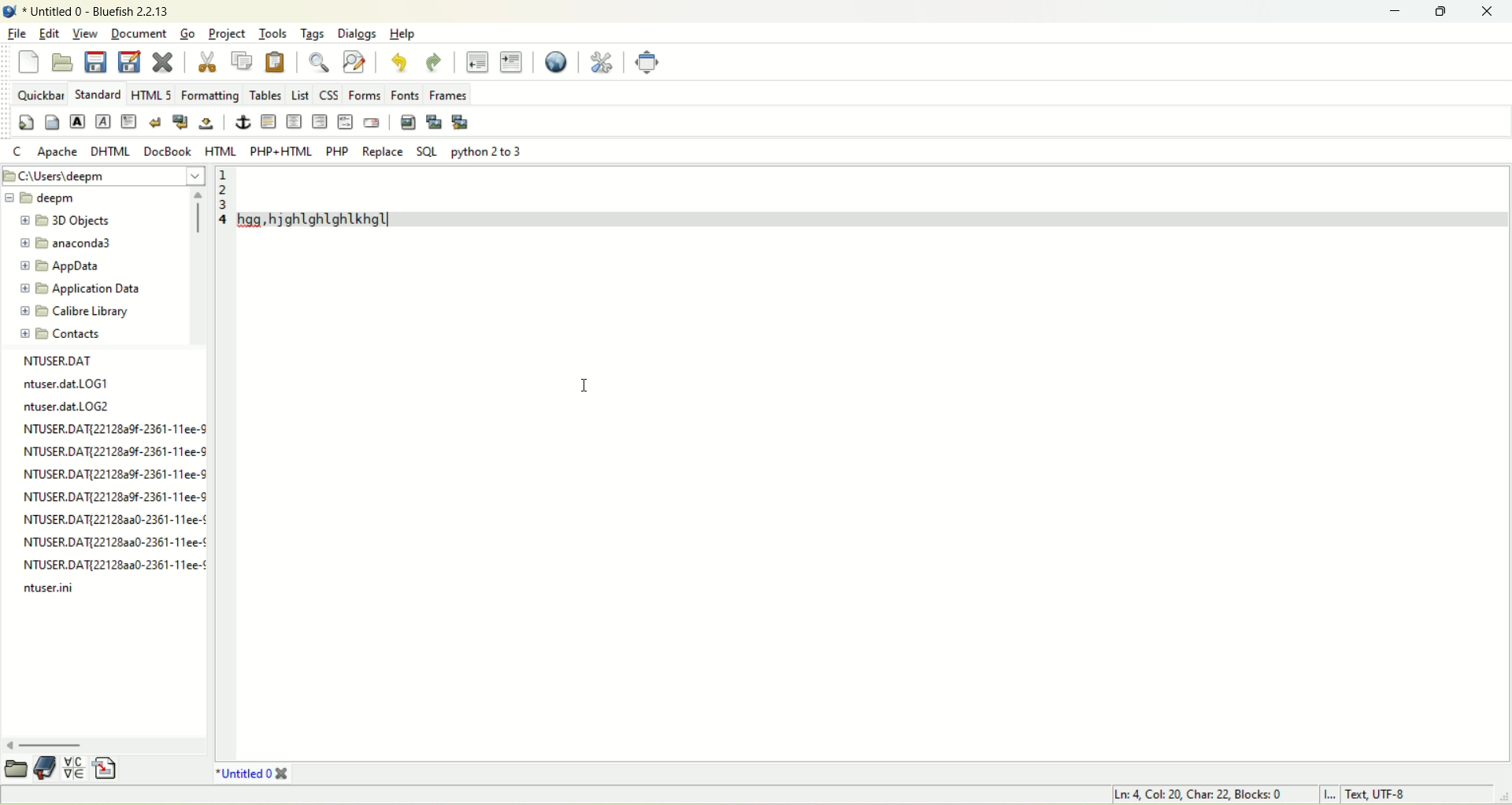 This screenshot has height=805, width=1512. What do you see at coordinates (56, 362) in the screenshot?
I see `NTUSER.DAT` at bounding box center [56, 362].